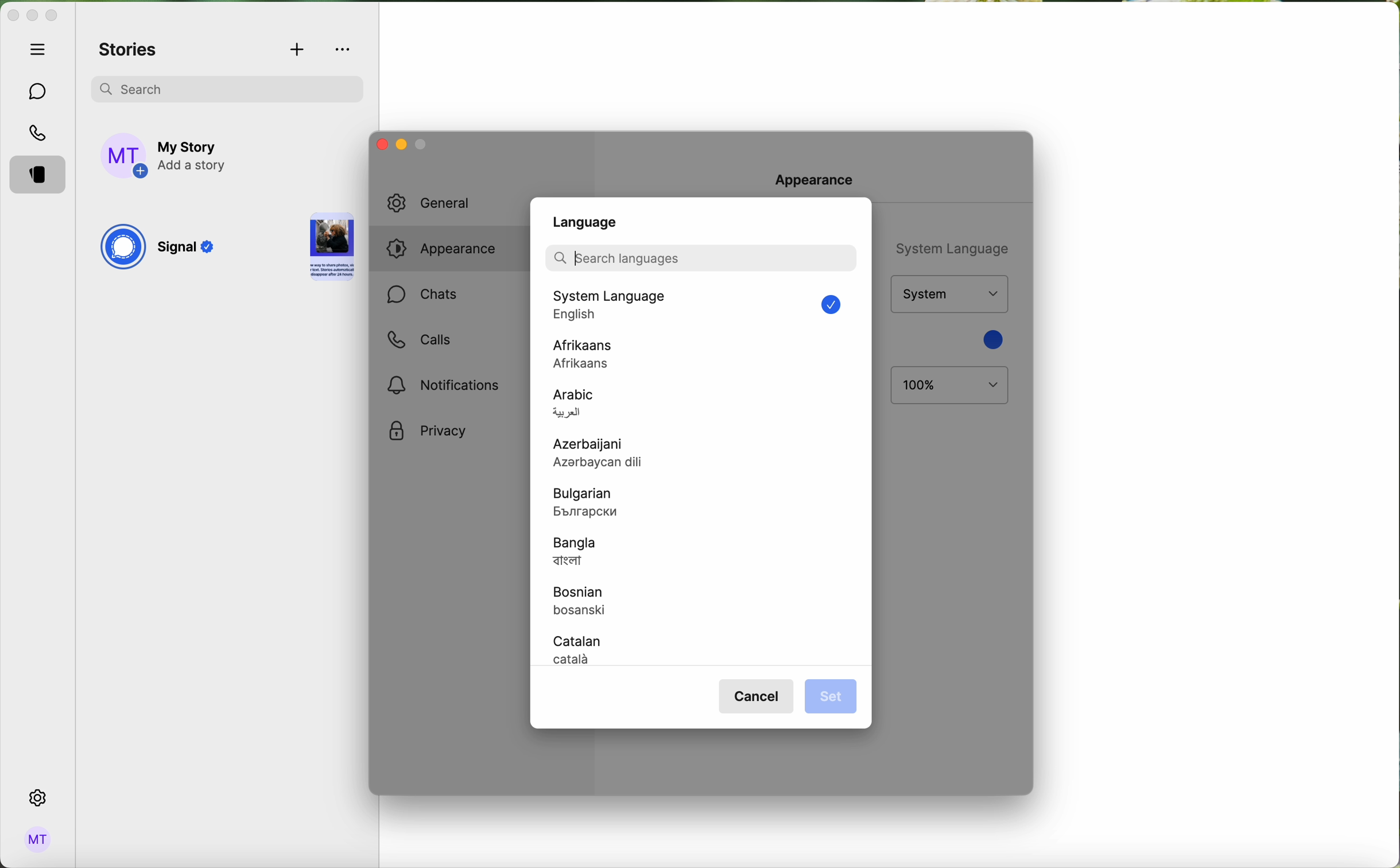 The height and width of the screenshot is (868, 1400). What do you see at coordinates (949, 247) in the screenshot?
I see `system language` at bounding box center [949, 247].